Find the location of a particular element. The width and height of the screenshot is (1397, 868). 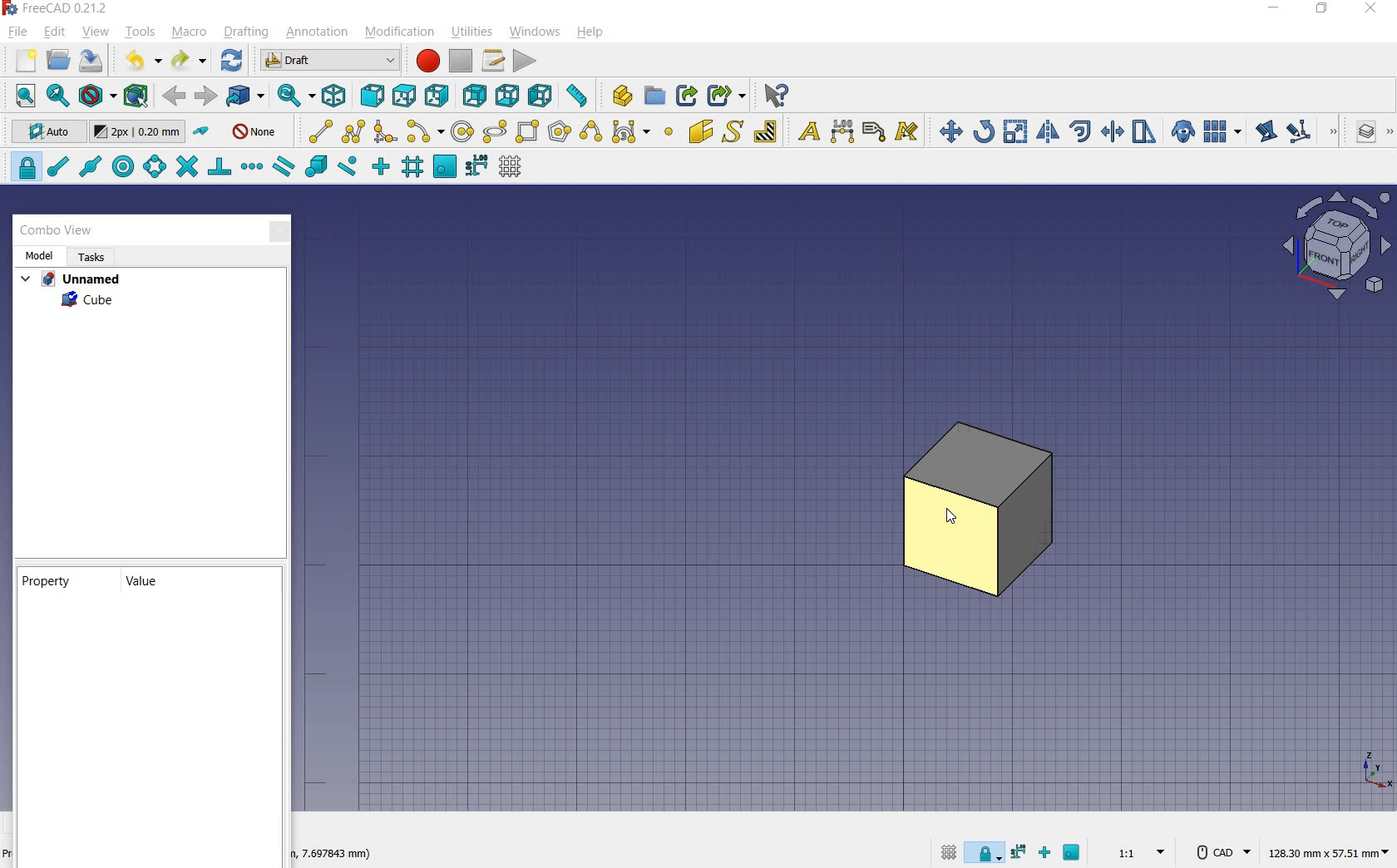

autogroup off is located at coordinates (254, 133).